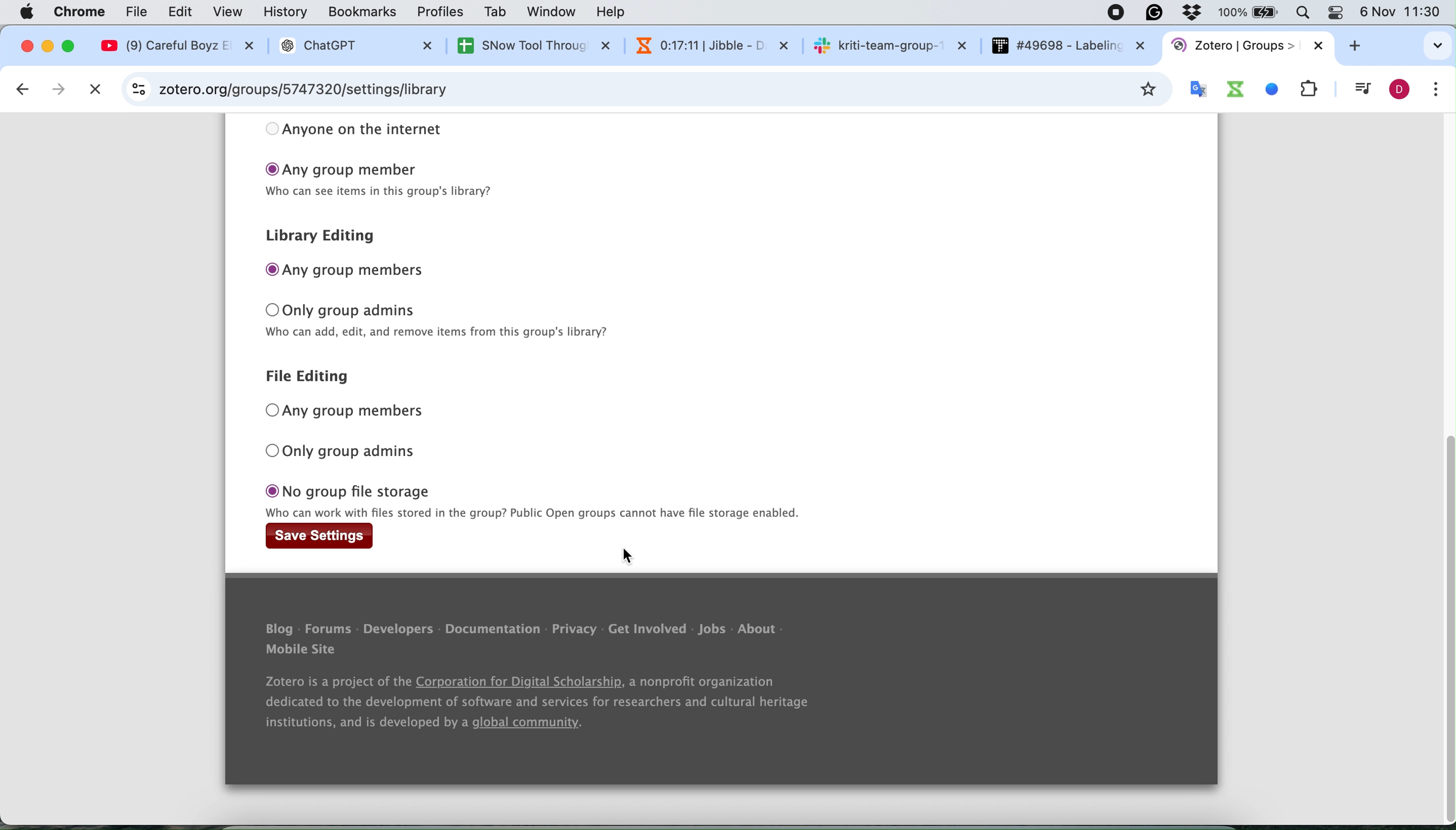 The width and height of the screenshot is (1456, 830). I want to click on profiles, so click(442, 11).